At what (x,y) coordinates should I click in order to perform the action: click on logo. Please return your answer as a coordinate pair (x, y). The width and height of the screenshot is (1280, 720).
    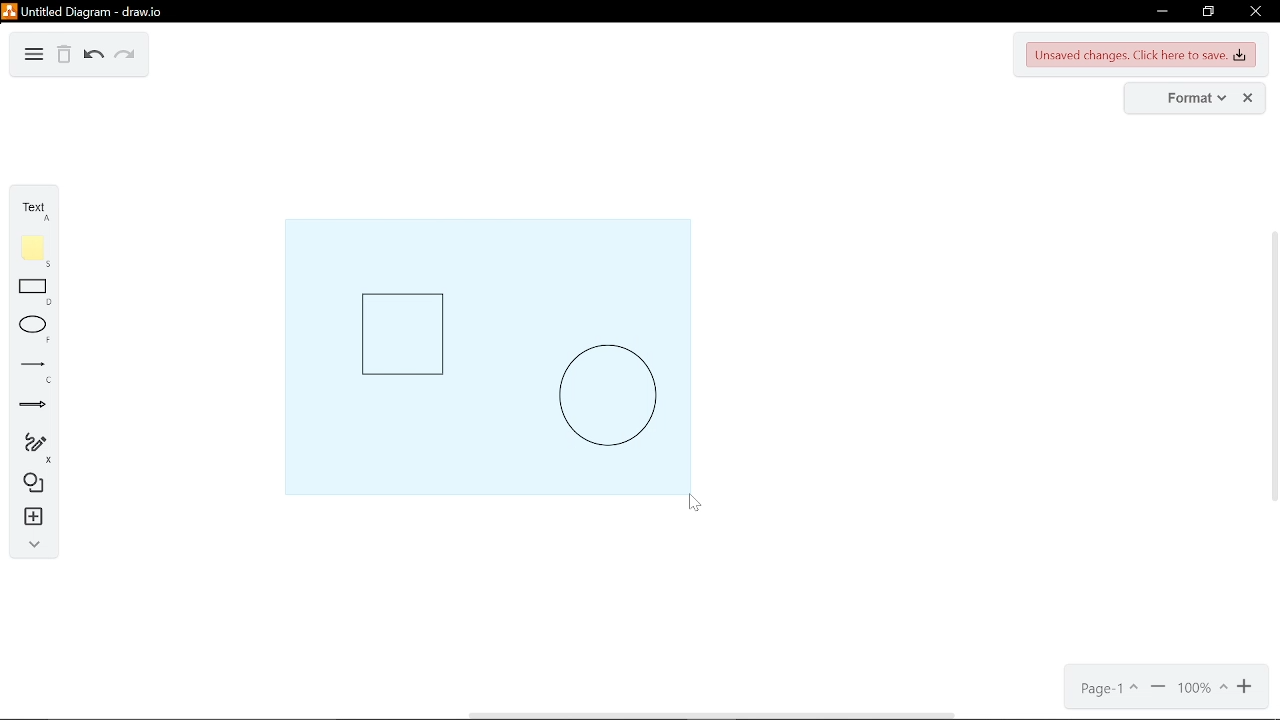
    Looking at the image, I should click on (9, 10).